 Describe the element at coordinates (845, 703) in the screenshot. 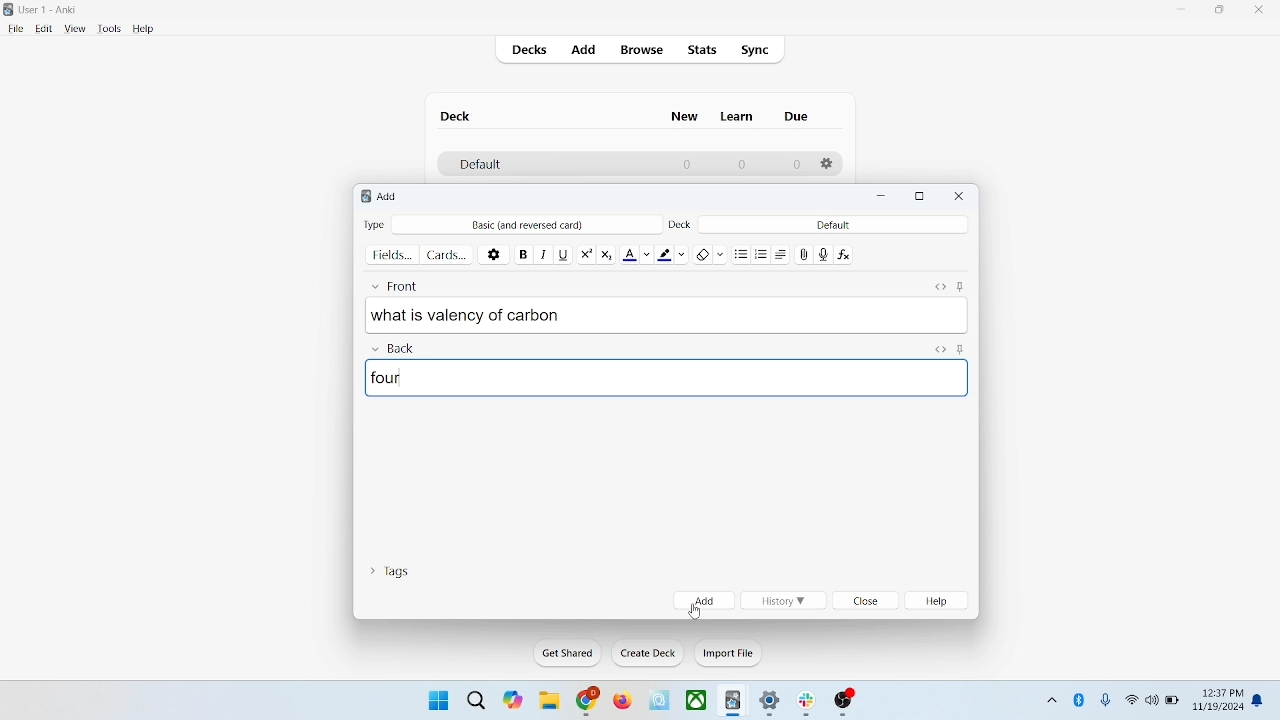

I see `icon` at that location.